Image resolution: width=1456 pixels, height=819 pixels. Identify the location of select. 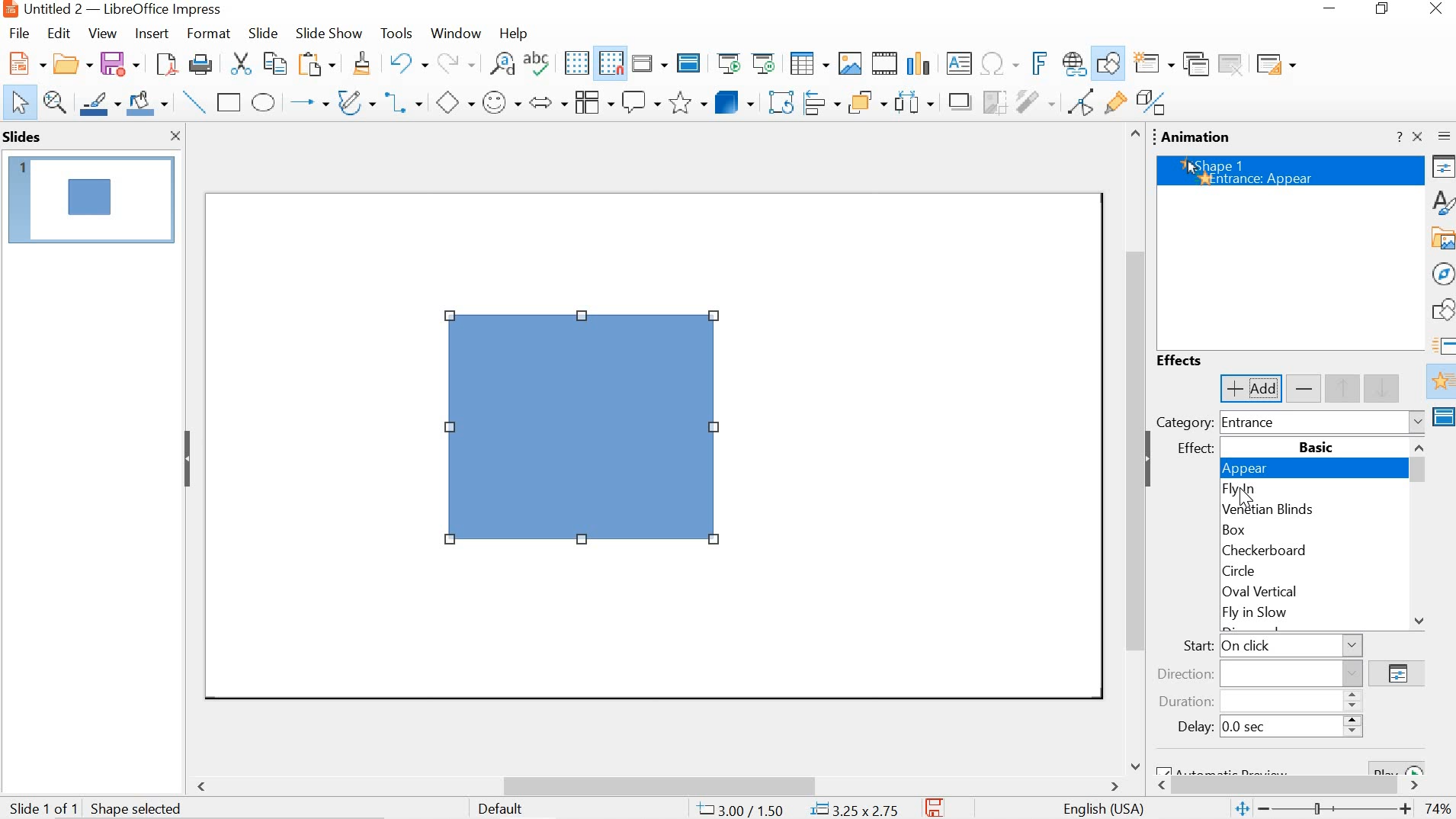
(18, 103).